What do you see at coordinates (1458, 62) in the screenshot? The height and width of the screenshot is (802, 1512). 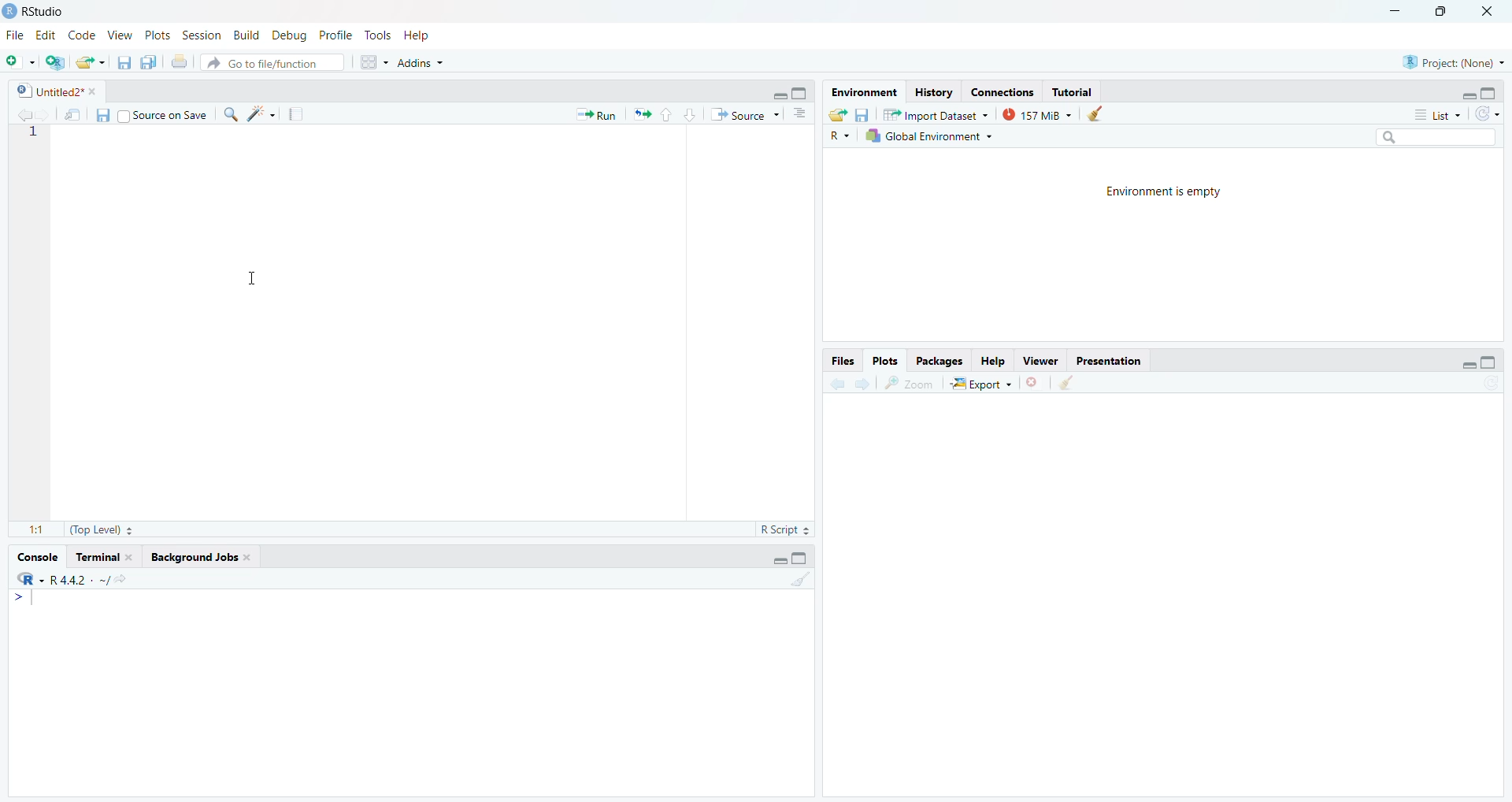 I see `Project(None)` at bounding box center [1458, 62].